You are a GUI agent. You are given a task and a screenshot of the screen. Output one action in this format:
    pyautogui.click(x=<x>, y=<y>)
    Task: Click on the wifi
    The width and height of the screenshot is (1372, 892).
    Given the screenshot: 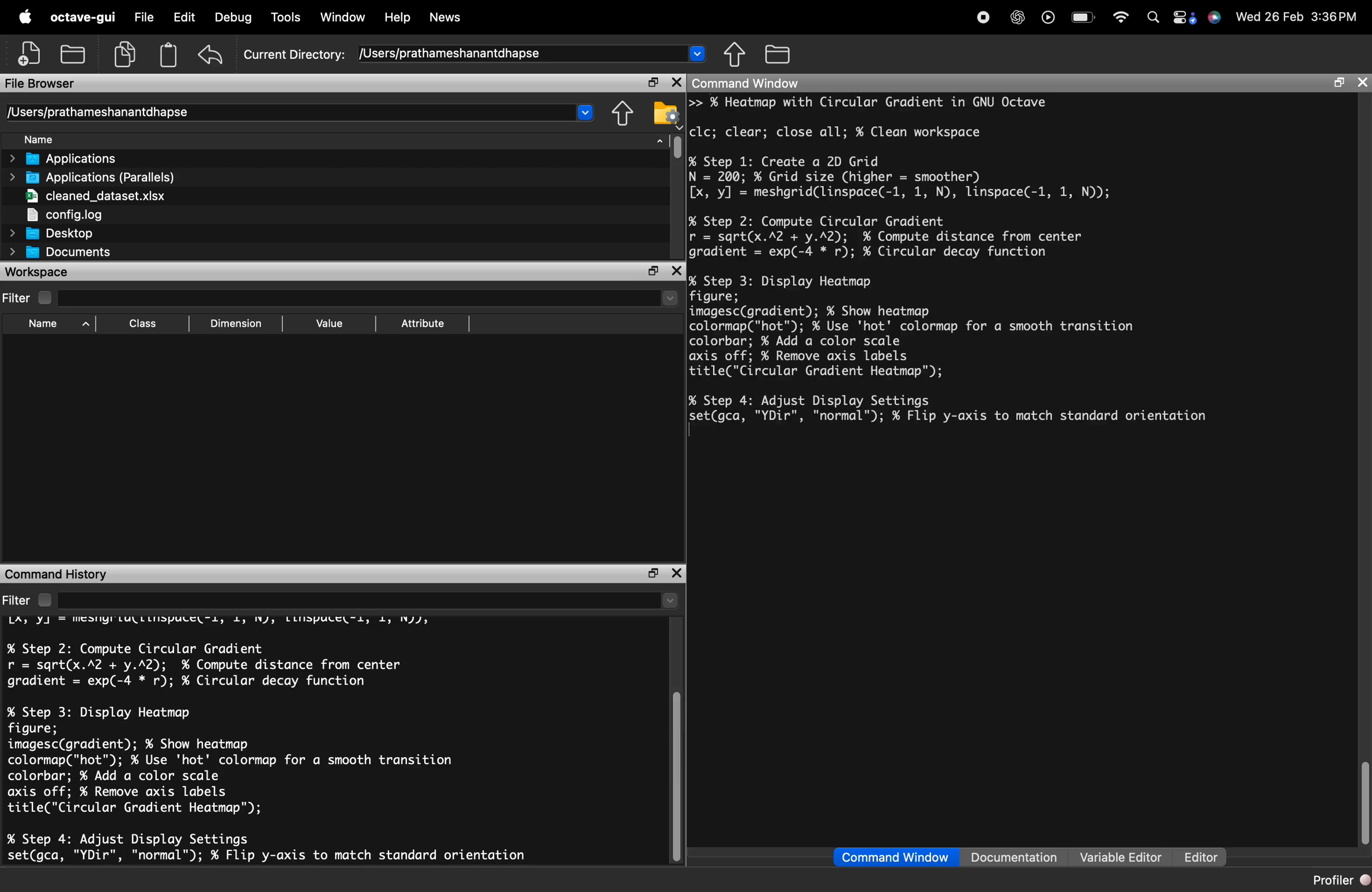 What is the action you would take?
    pyautogui.click(x=1124, y=18)
    